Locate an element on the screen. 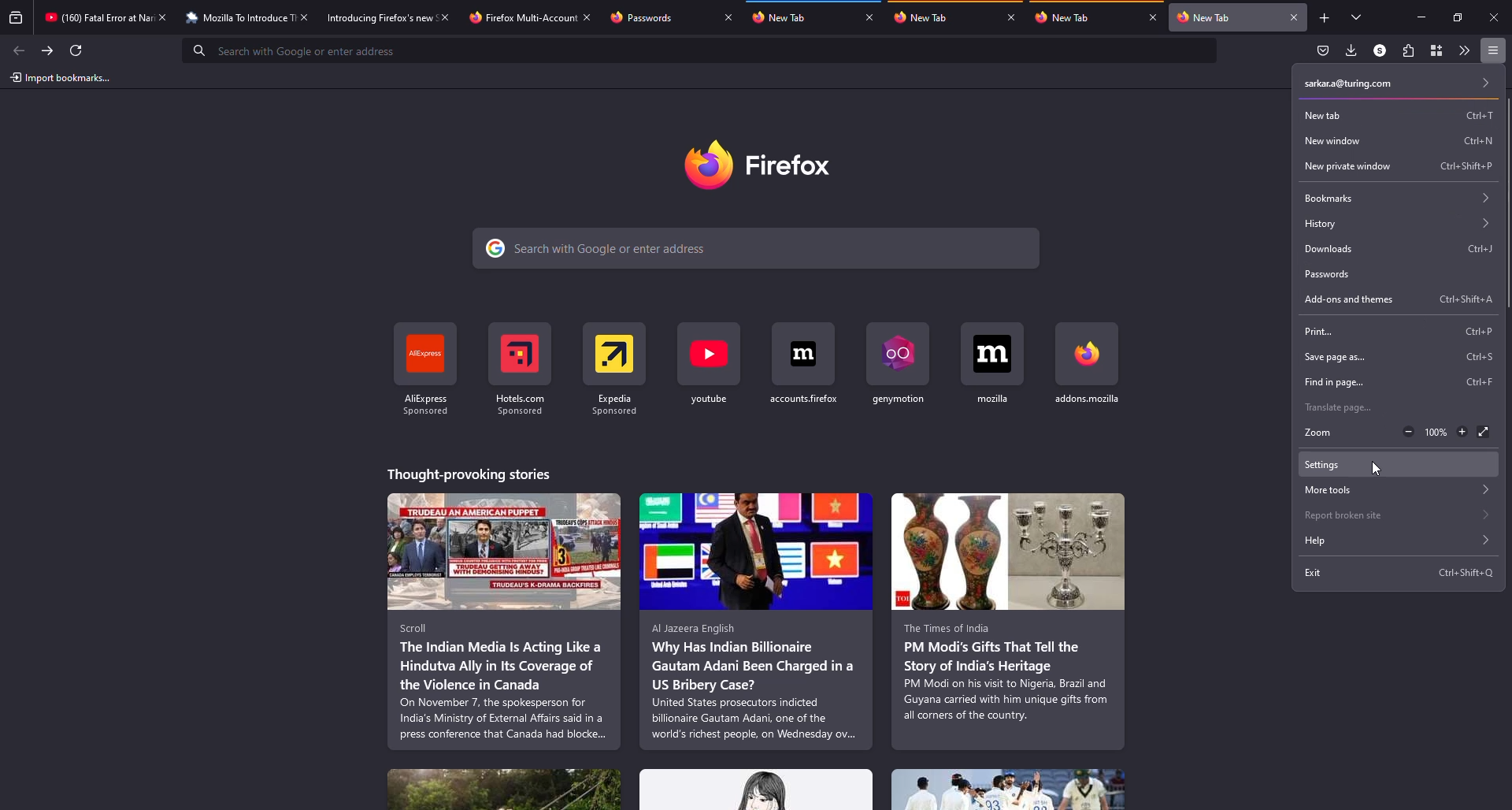 This screenshot has height=810, width=1512. search is located at coordinates (757, 249).